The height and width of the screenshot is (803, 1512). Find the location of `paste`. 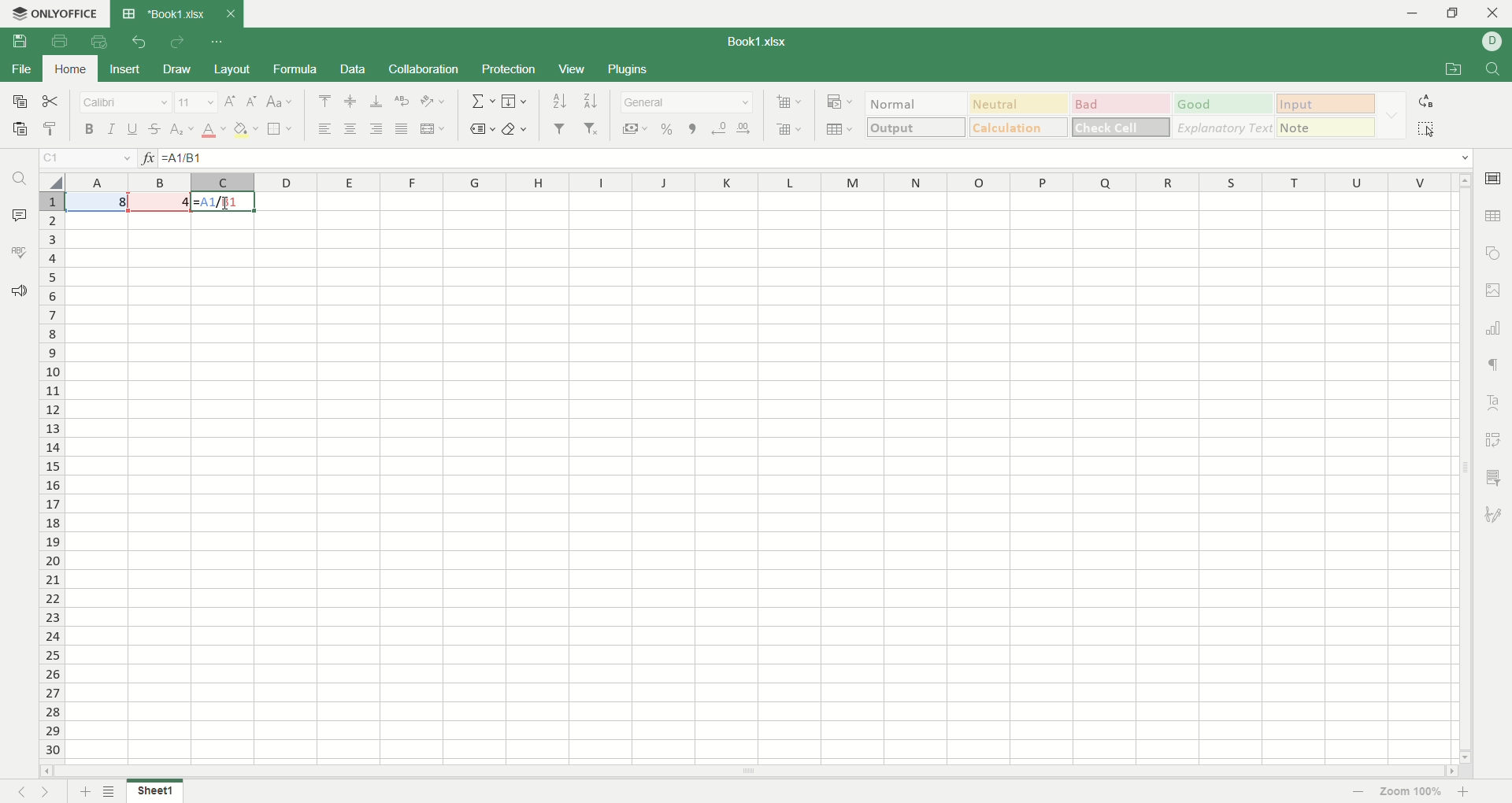

paste is located at coordinates (20, 128).